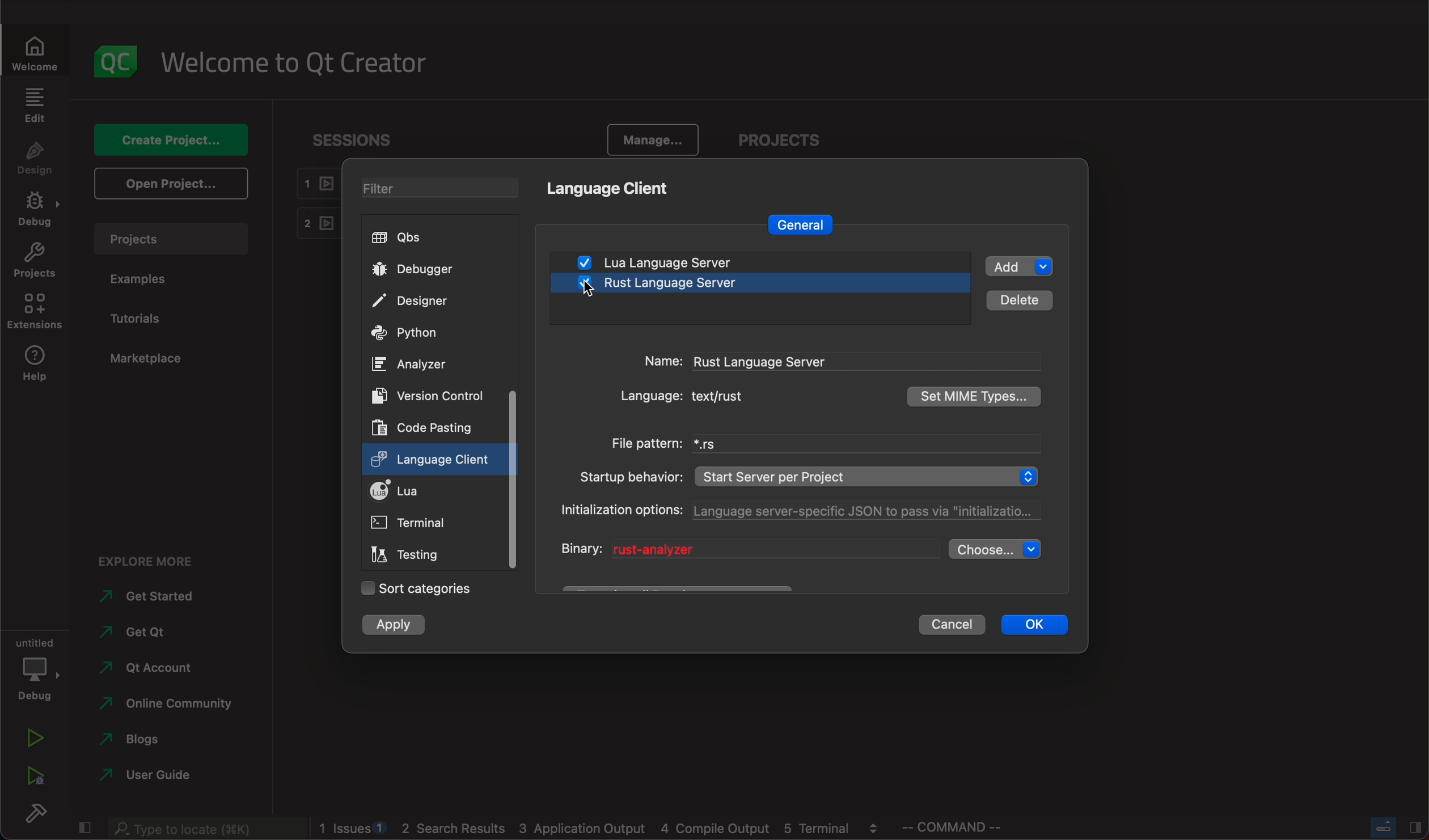 This screenshot has height=840, width=1429. Describe the element at coordinates (807, 512) in the screenshot. I see `options` at that location.